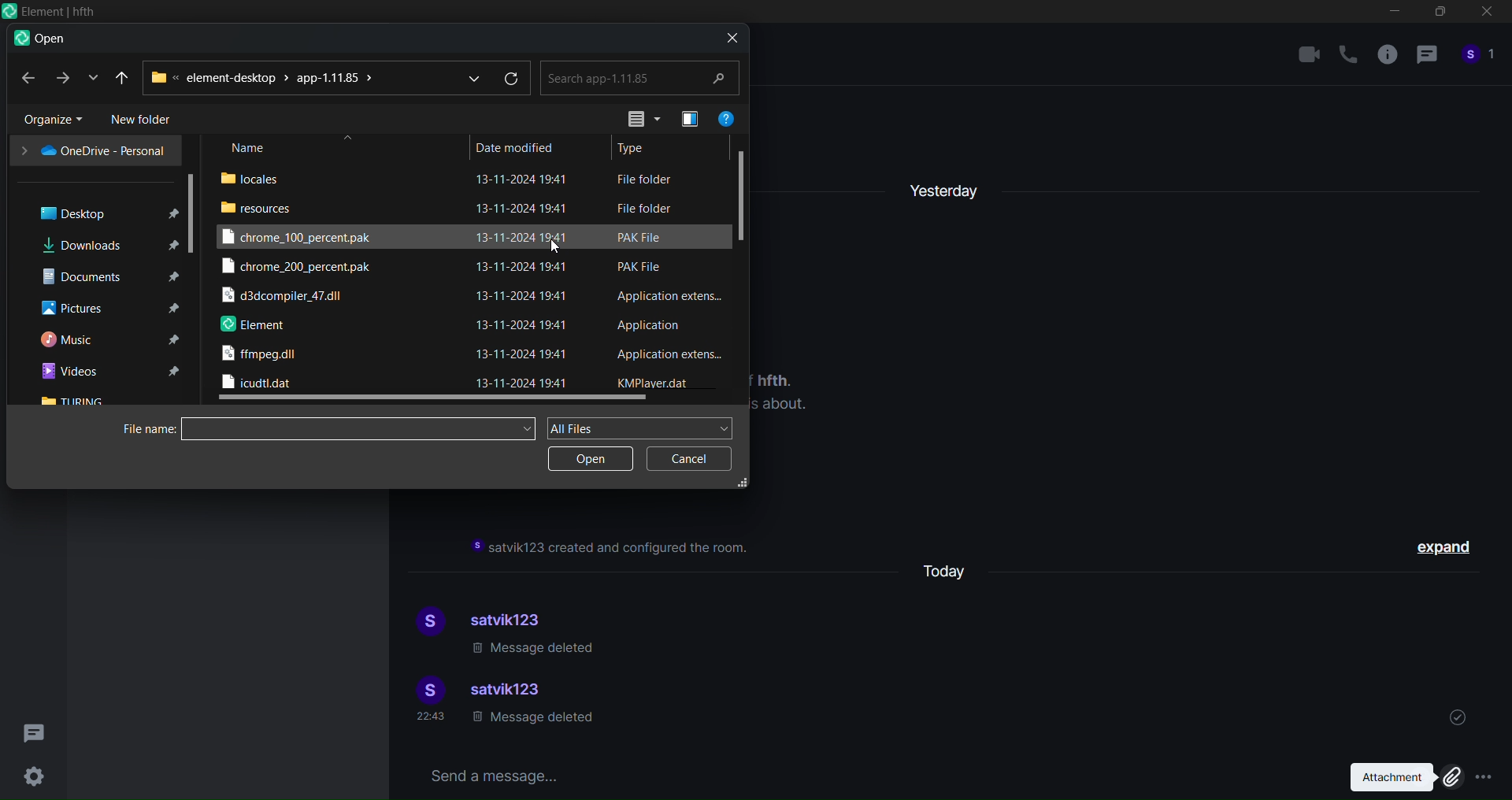  I want to click on file name, so click(144, 429).